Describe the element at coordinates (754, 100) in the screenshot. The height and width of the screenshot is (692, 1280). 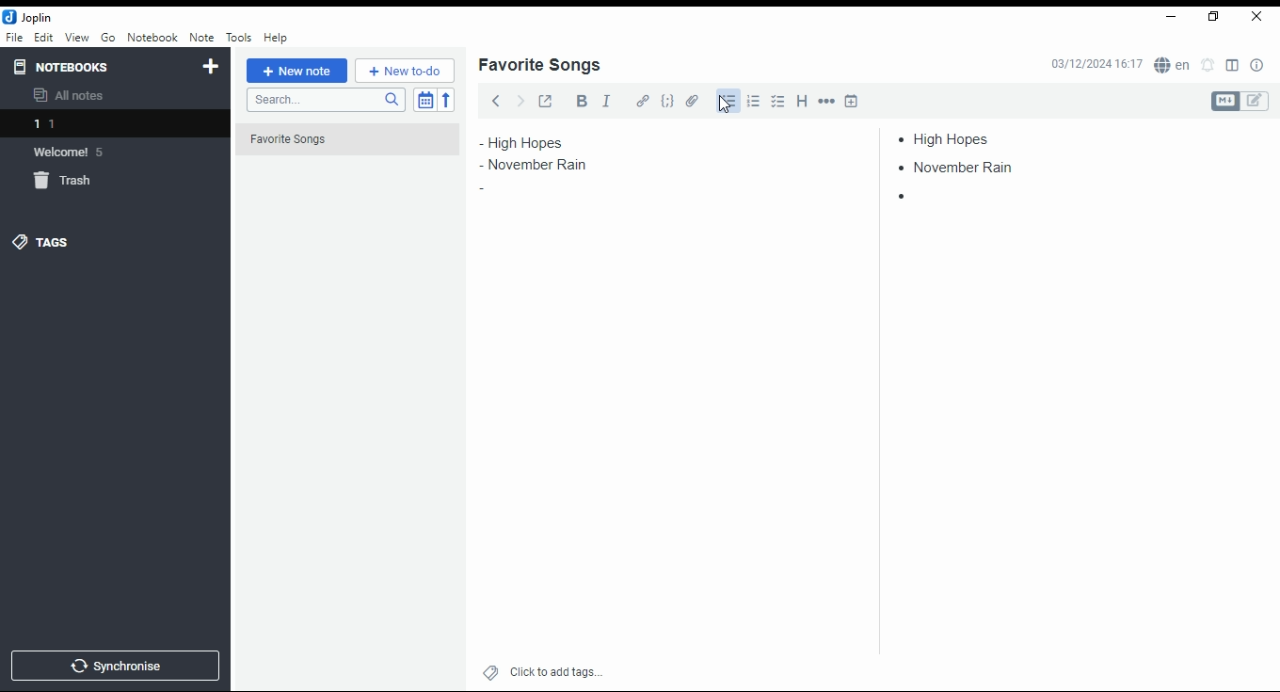
I see `number list` at that location.